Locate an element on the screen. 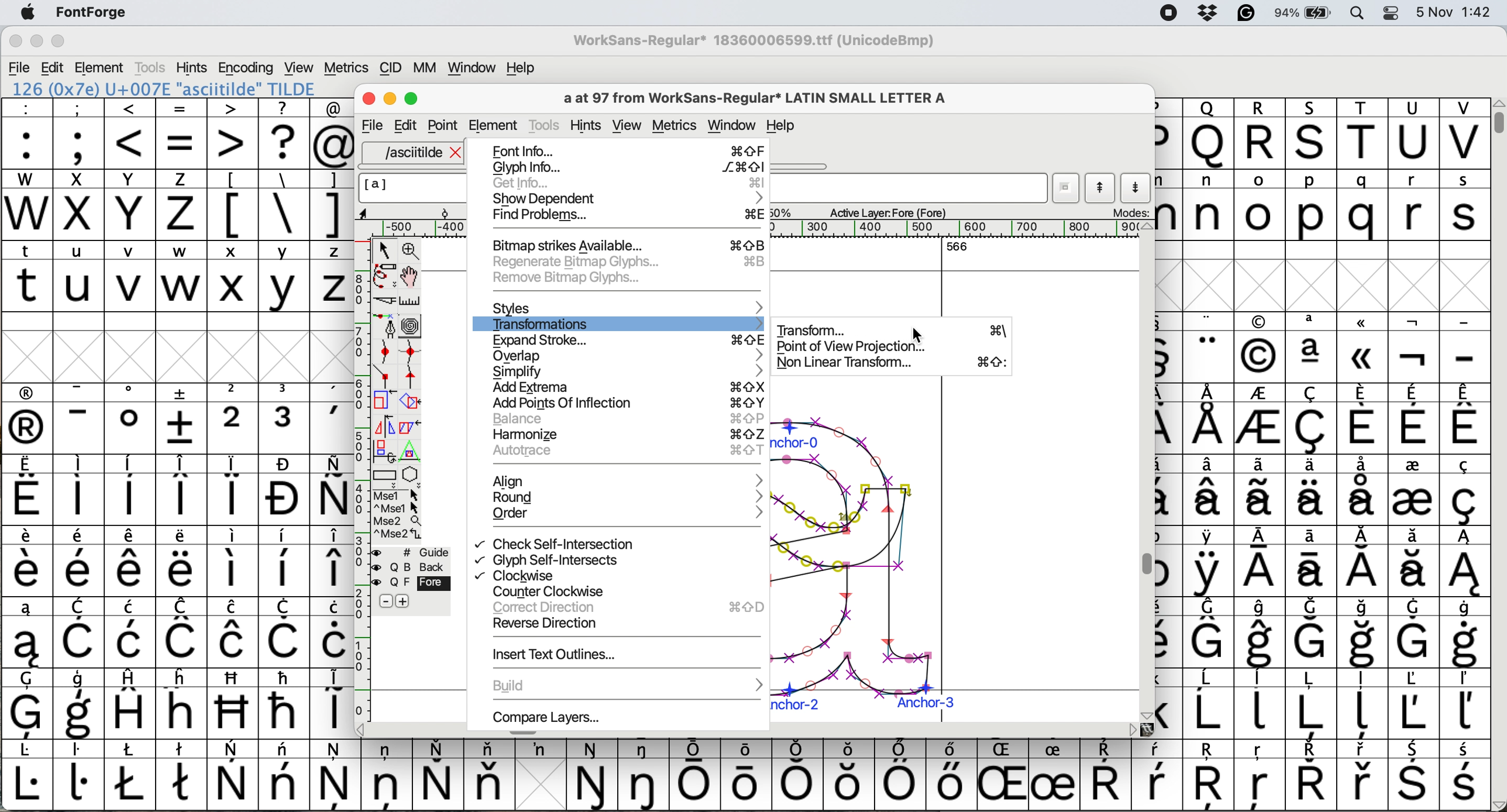 The height and width of the screenshot is (812, 1507). Help is located at coordinates (780, 127).